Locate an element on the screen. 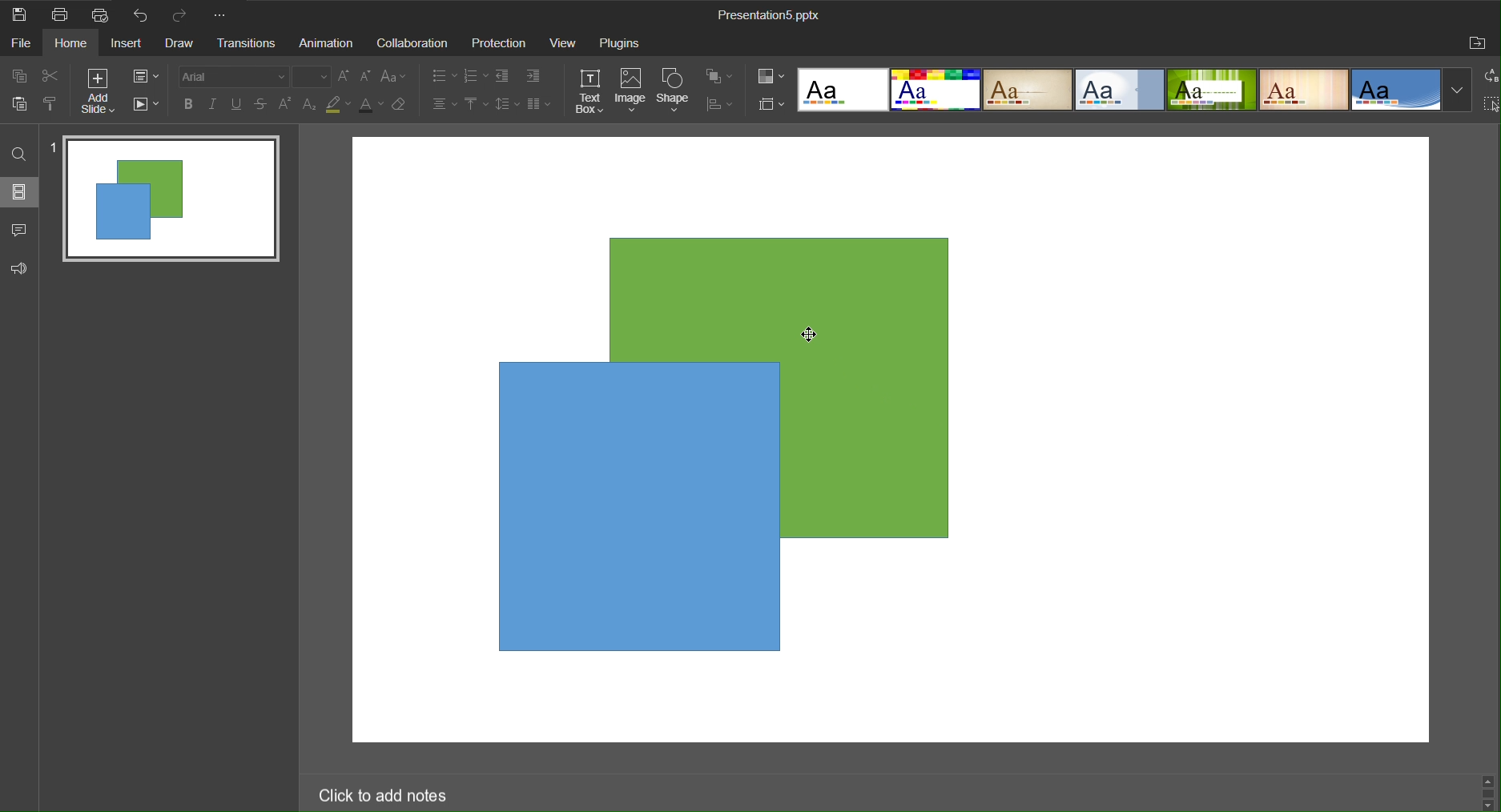 The image size is (1501, 812). underline is located at coordinates (237, 104).